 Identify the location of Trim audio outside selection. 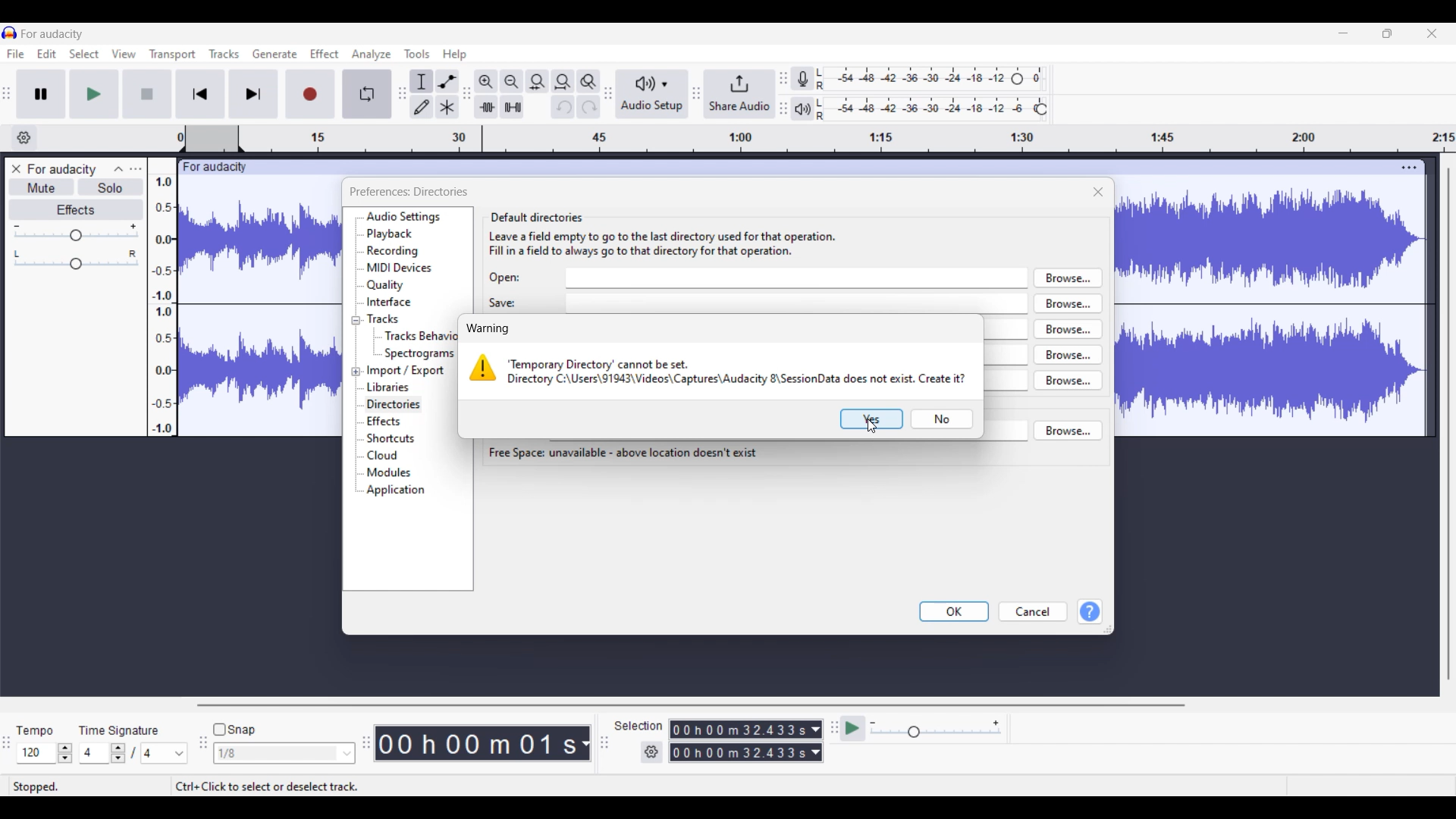
(486, 106).